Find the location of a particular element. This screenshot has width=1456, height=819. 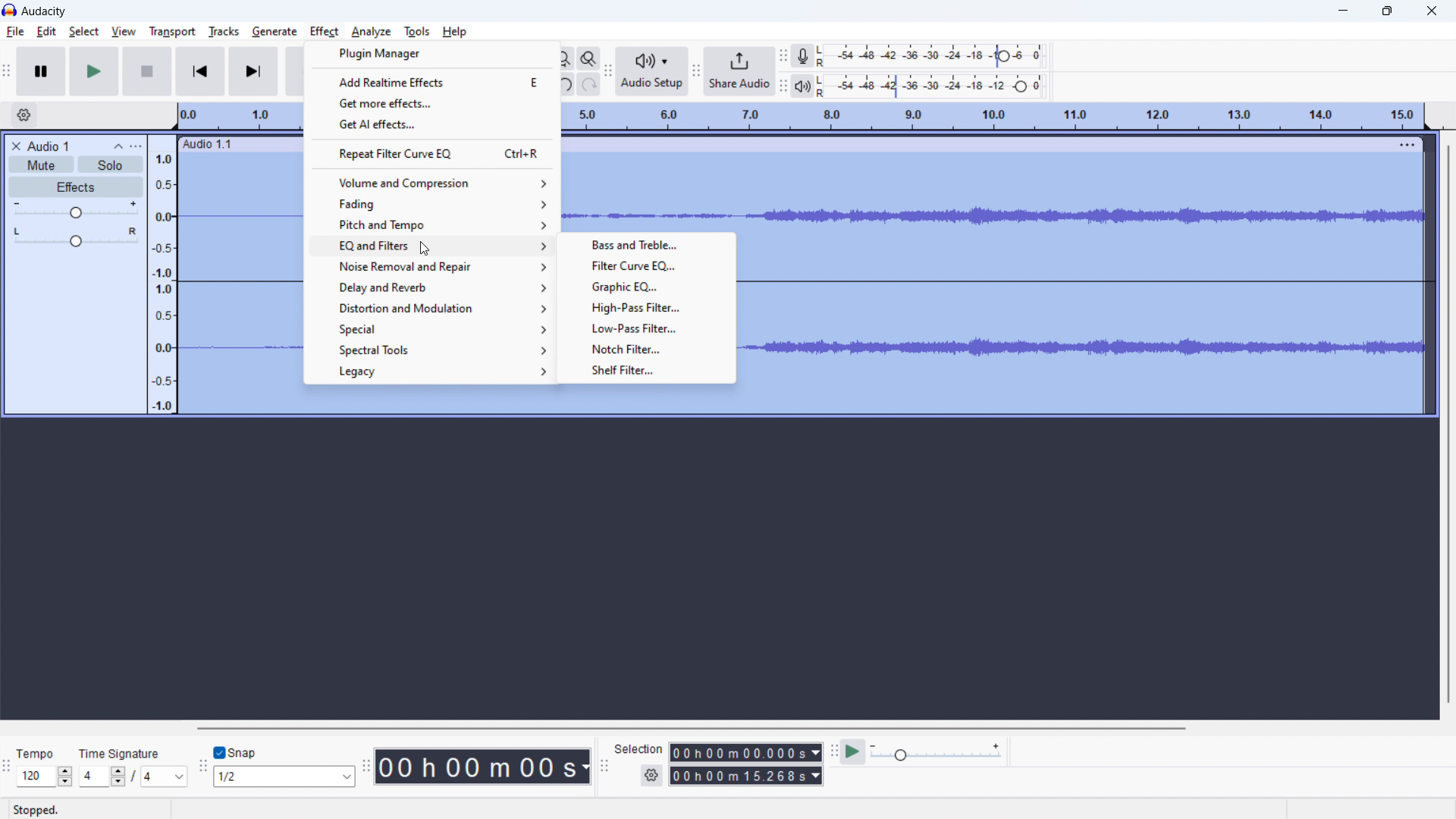

tracks is located at coordinates (224, 32).